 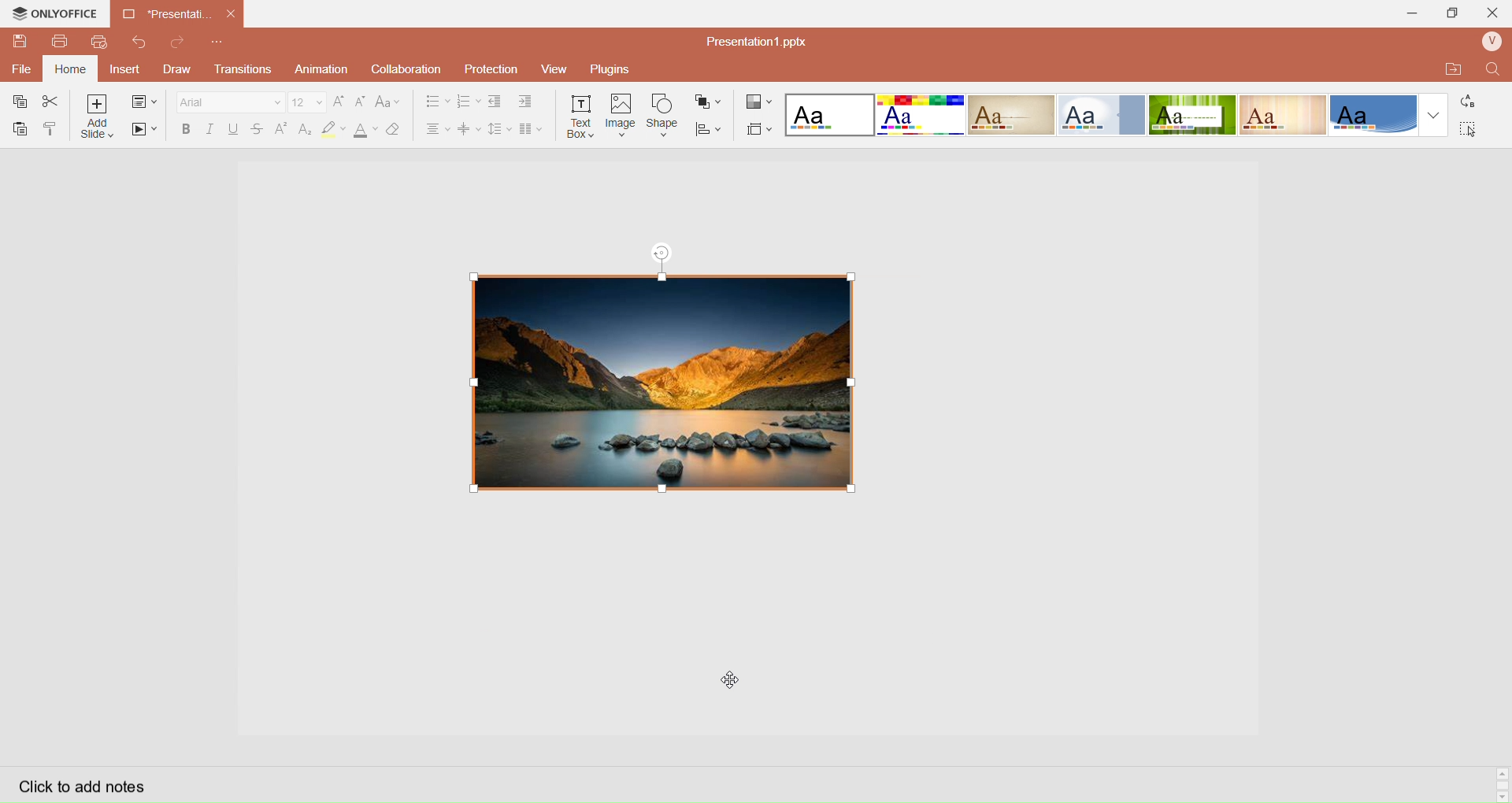 I want to click on Underline, so click(x=233, y=130).